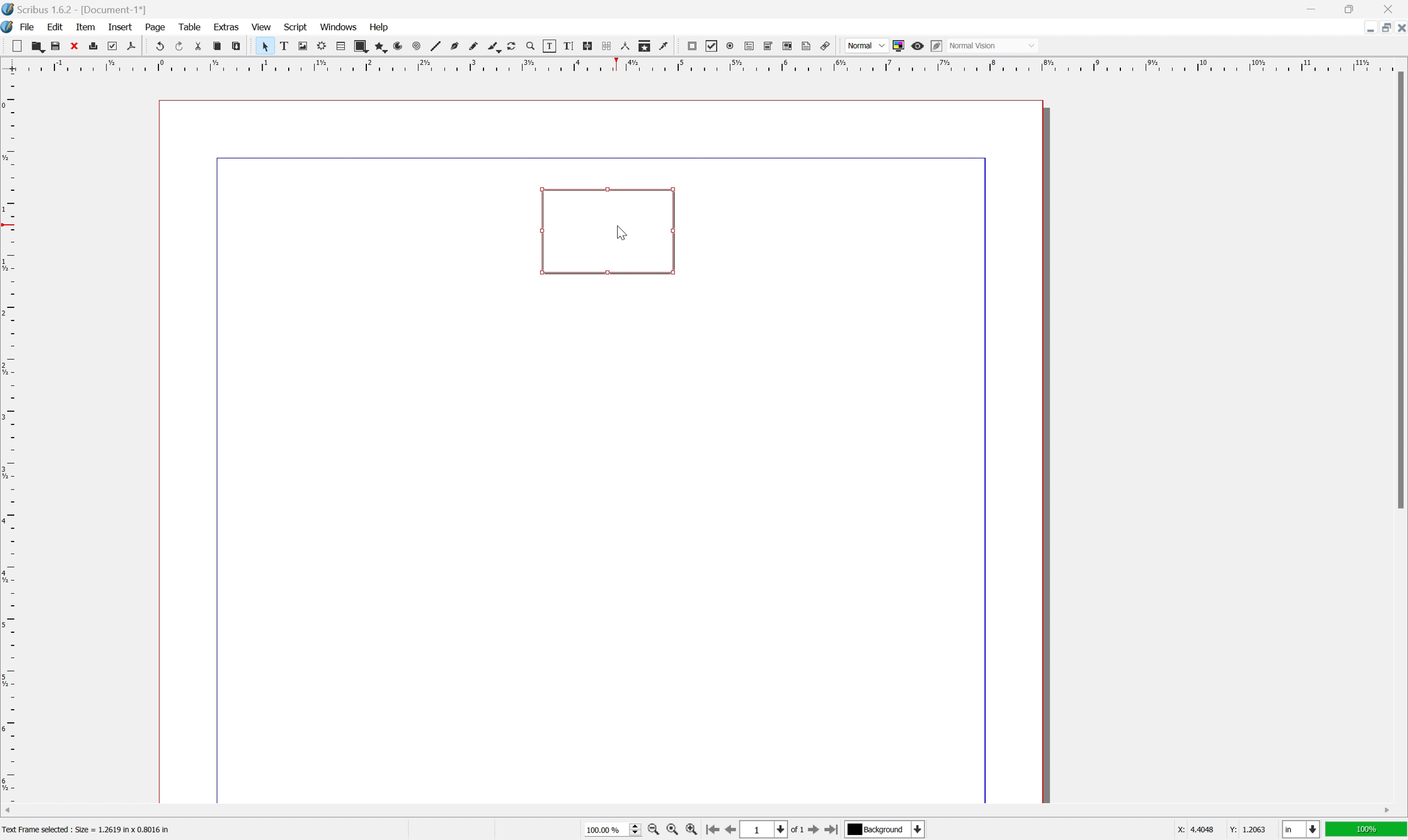 The height and width of the screenshot is (840, 1408). Describe the element at coordinates (692, 45) in the screenshot. I see `pdf push button` at that location.